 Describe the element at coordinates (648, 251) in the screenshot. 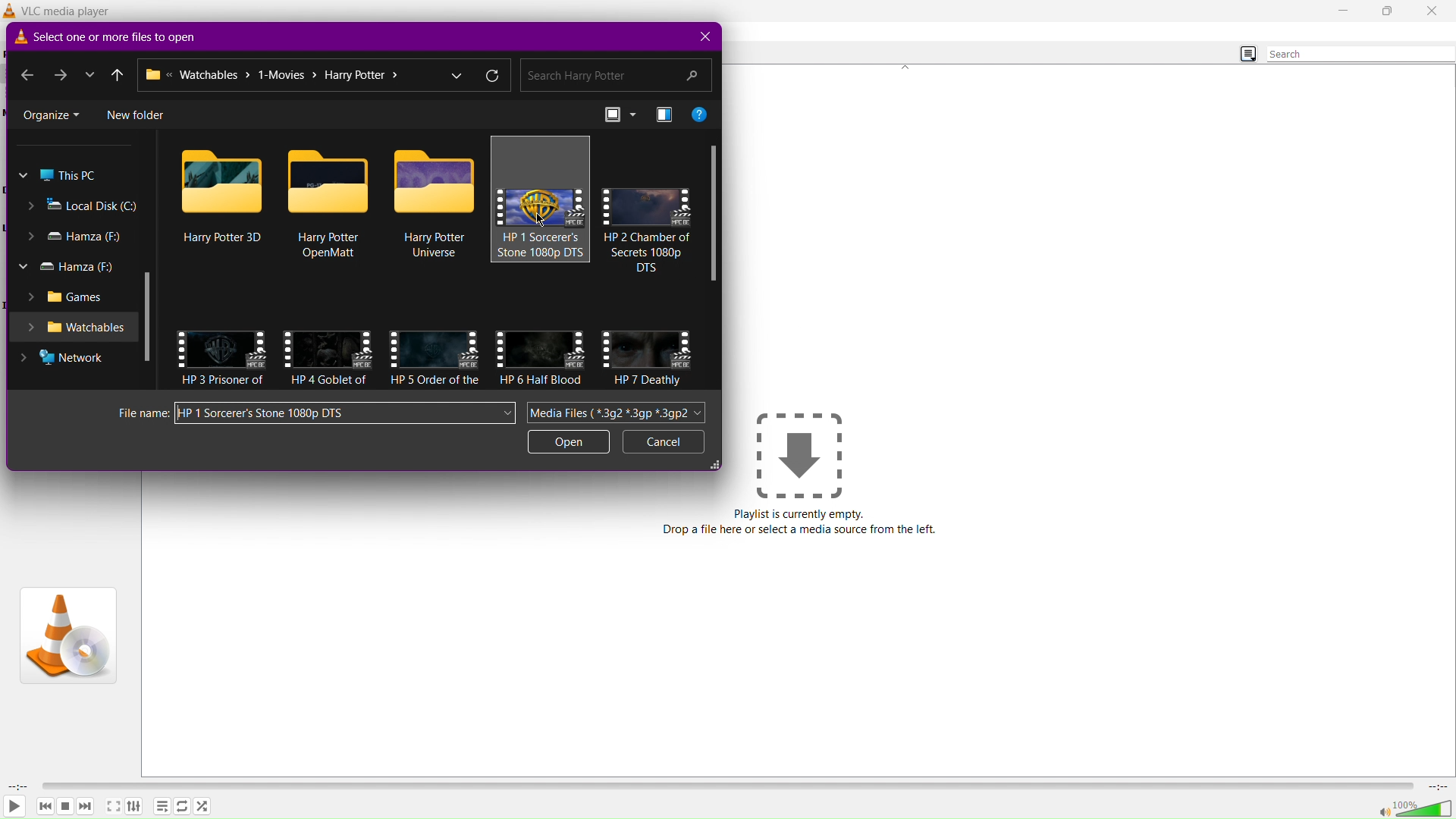

I see `harry potter ` at that location.